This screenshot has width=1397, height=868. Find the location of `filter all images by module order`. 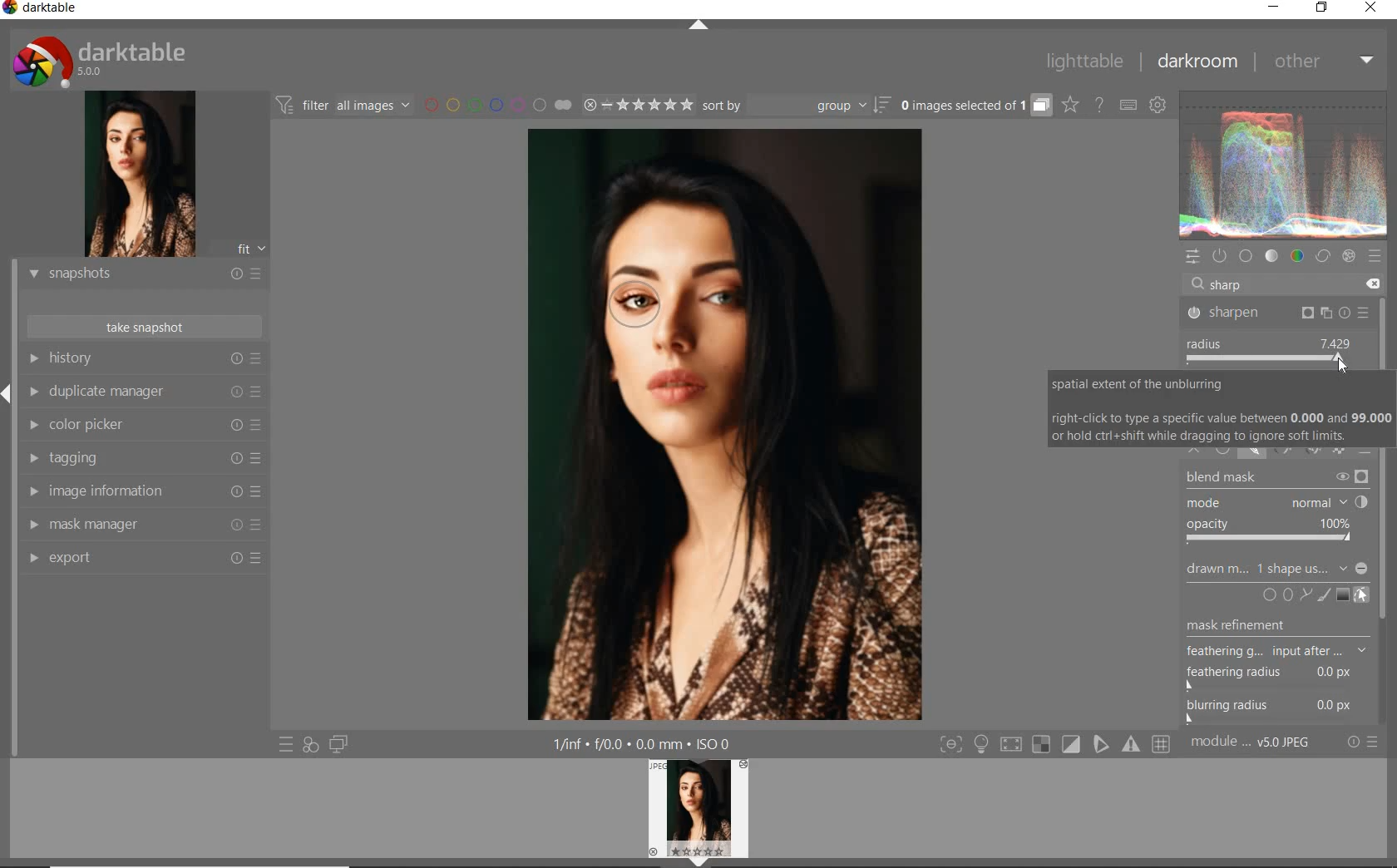

filter all images by module order is located at coordinates (344, 107).